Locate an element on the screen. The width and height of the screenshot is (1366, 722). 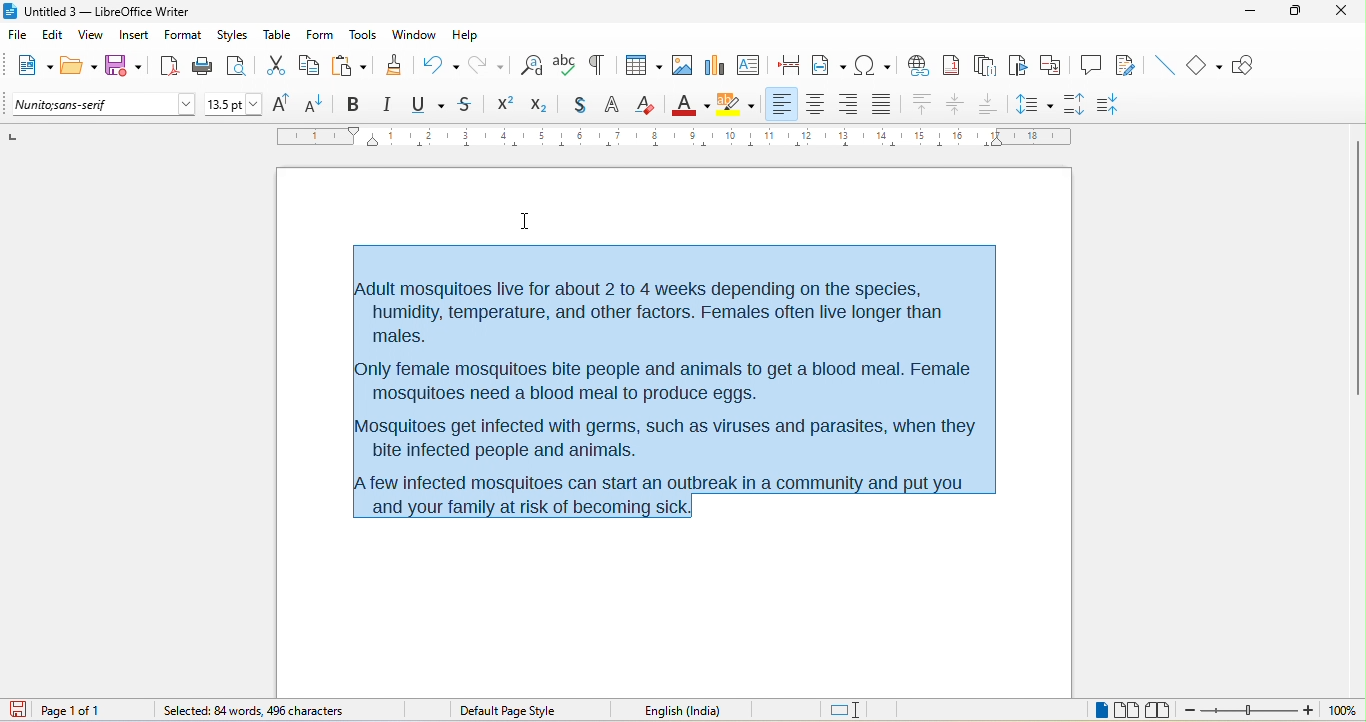
vertical scroll bar is located at coordinates (1357, 270).